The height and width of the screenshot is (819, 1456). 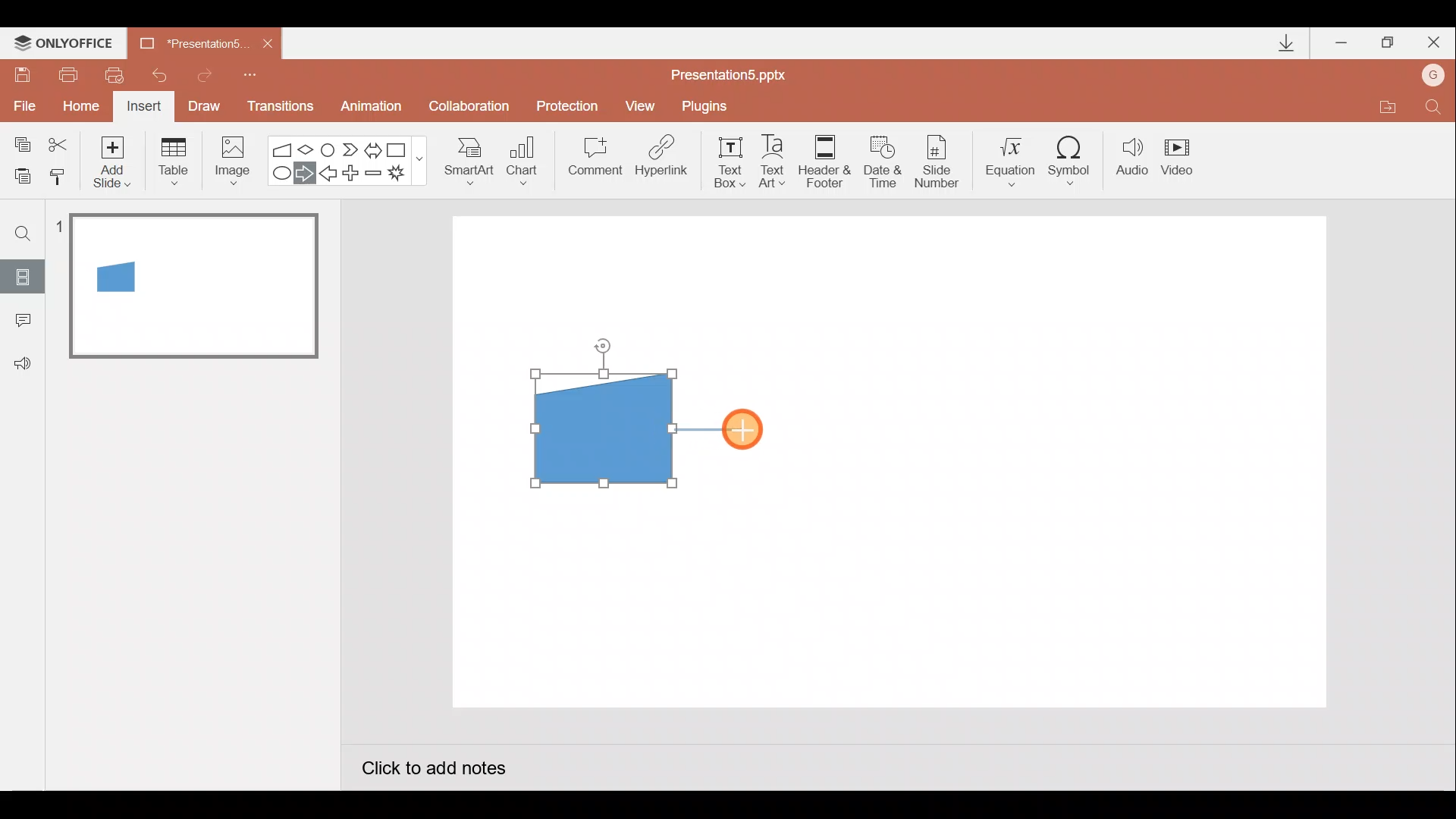 What do you see at coordinates (642, 105) in the screenshot?
I see `View` at bounding box center [642, 105].